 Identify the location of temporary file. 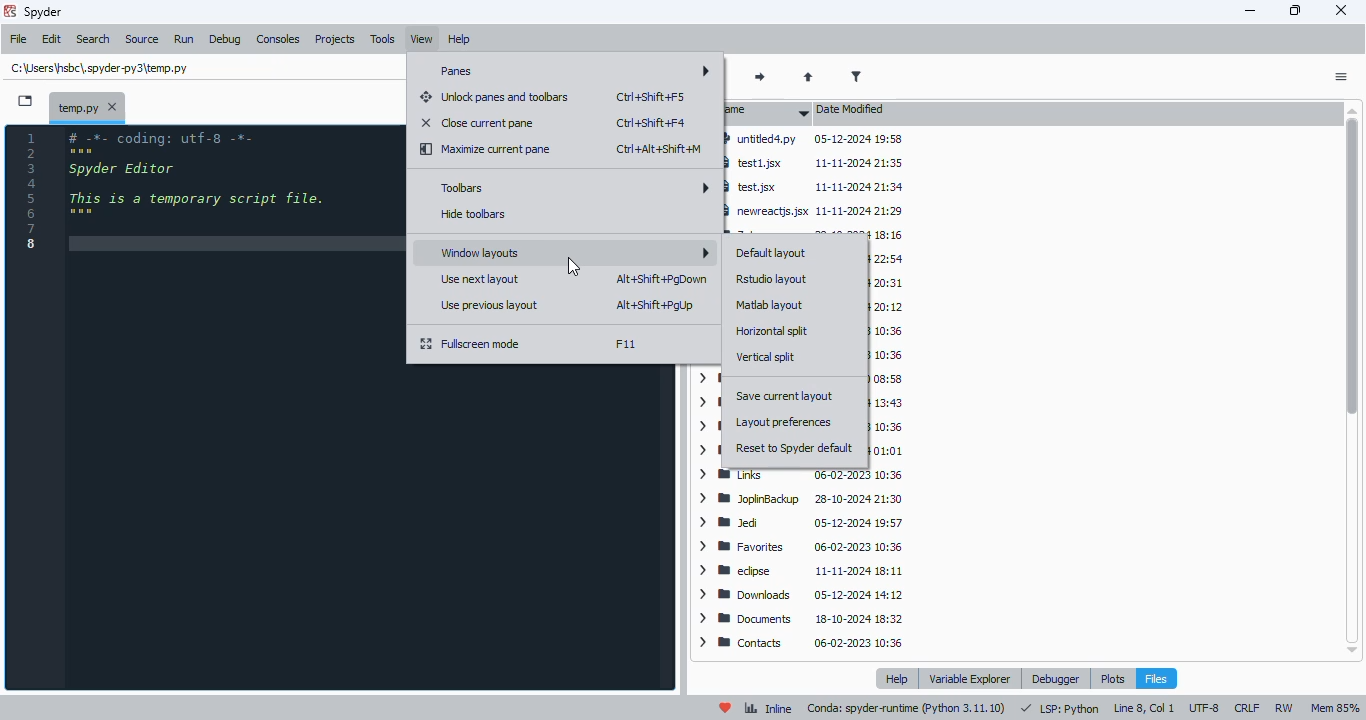
(87, 105).